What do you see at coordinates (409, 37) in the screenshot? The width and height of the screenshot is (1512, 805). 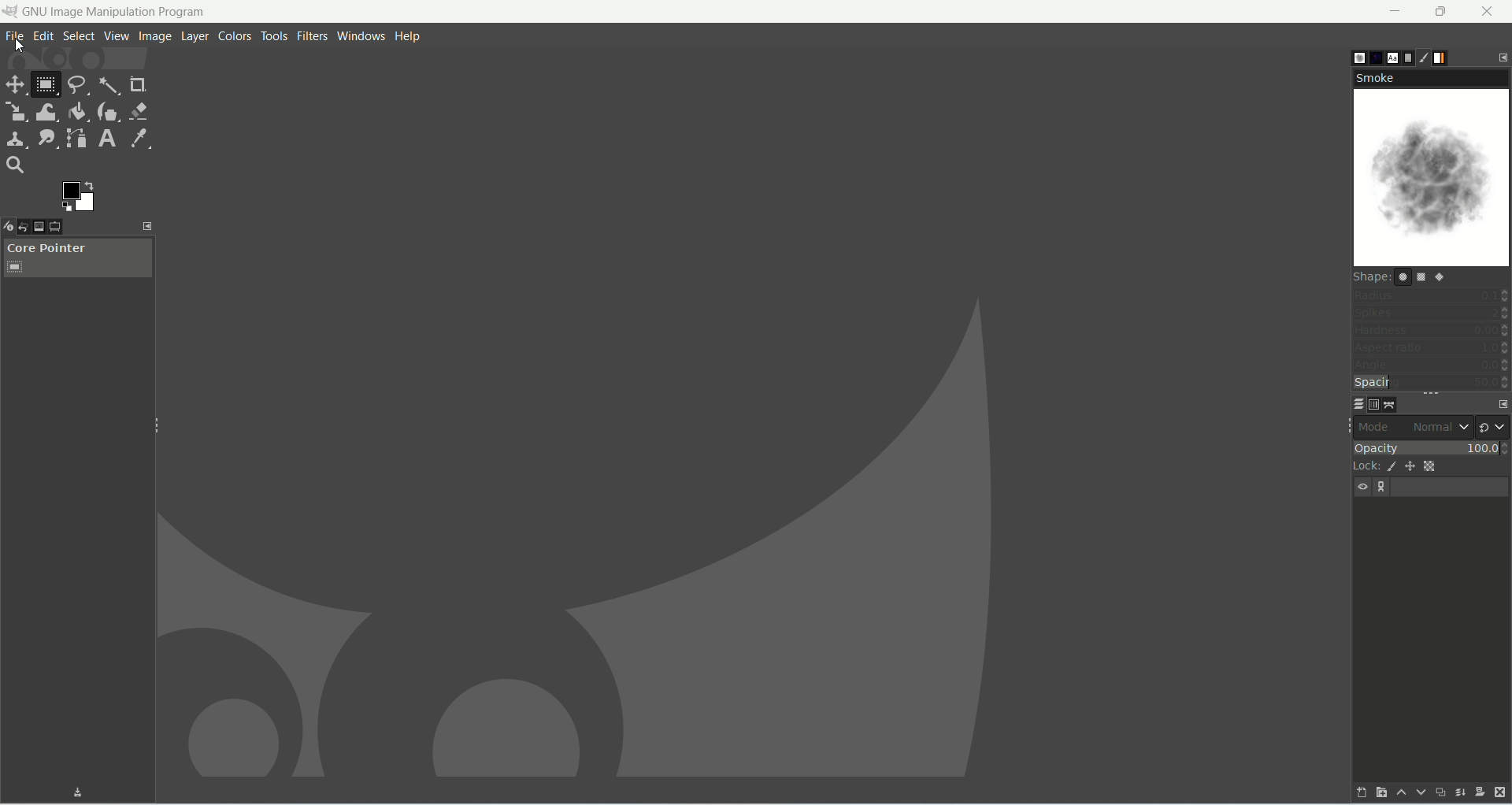 I see `help` at bounding box center [409, 37].